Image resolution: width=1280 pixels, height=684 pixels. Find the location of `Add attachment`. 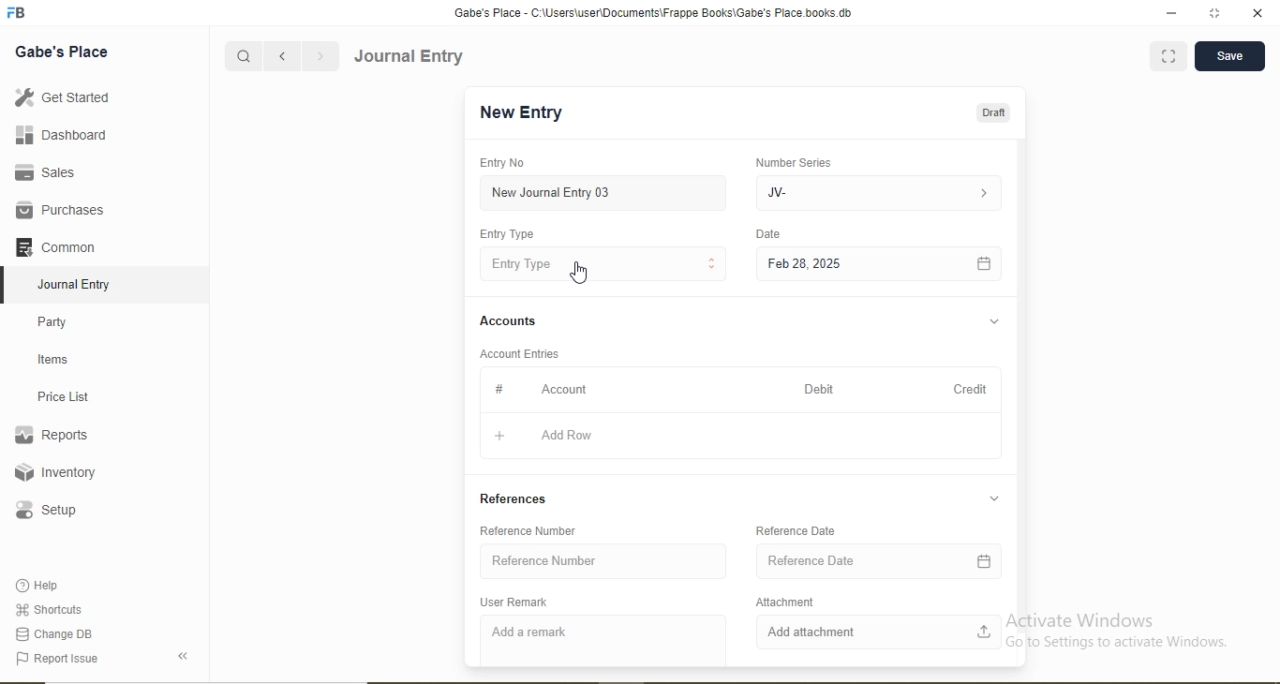

Add attachment is located at coordinates (811, 632).